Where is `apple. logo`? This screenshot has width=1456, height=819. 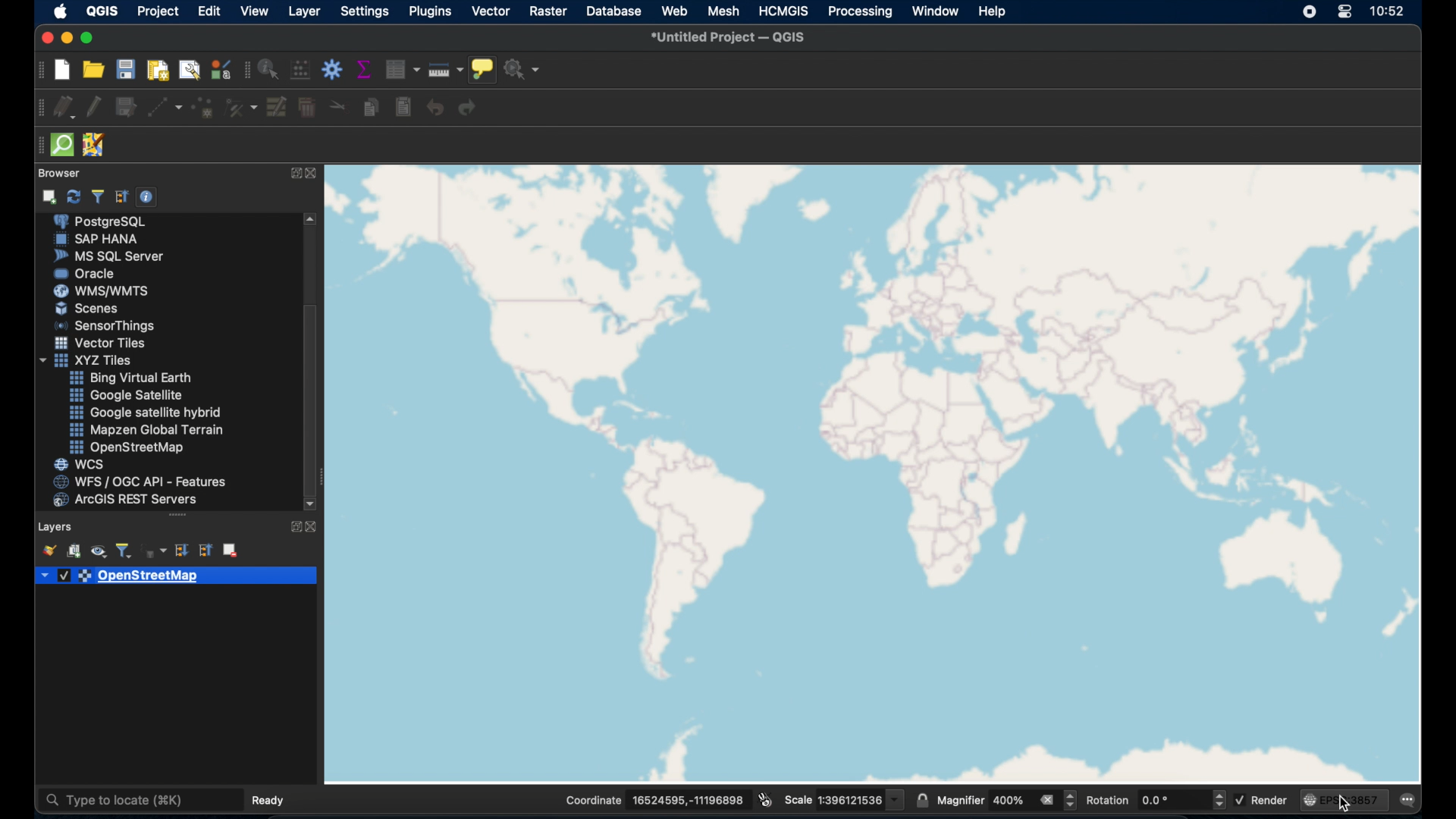 apple. logo is located at coordinates (60, 11).